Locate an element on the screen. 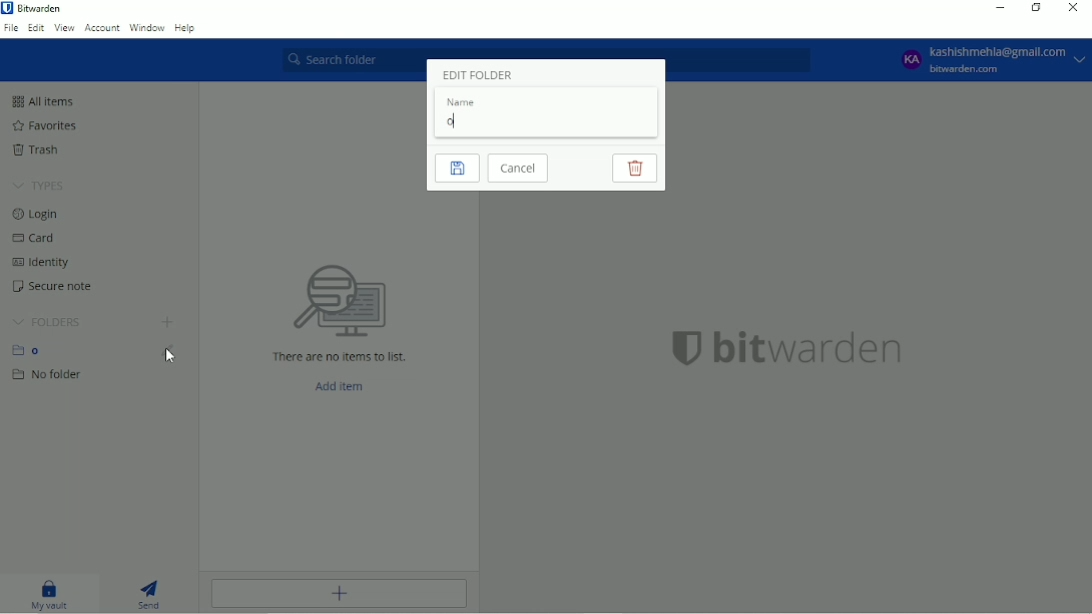  View is located at coordinates (65, 28).